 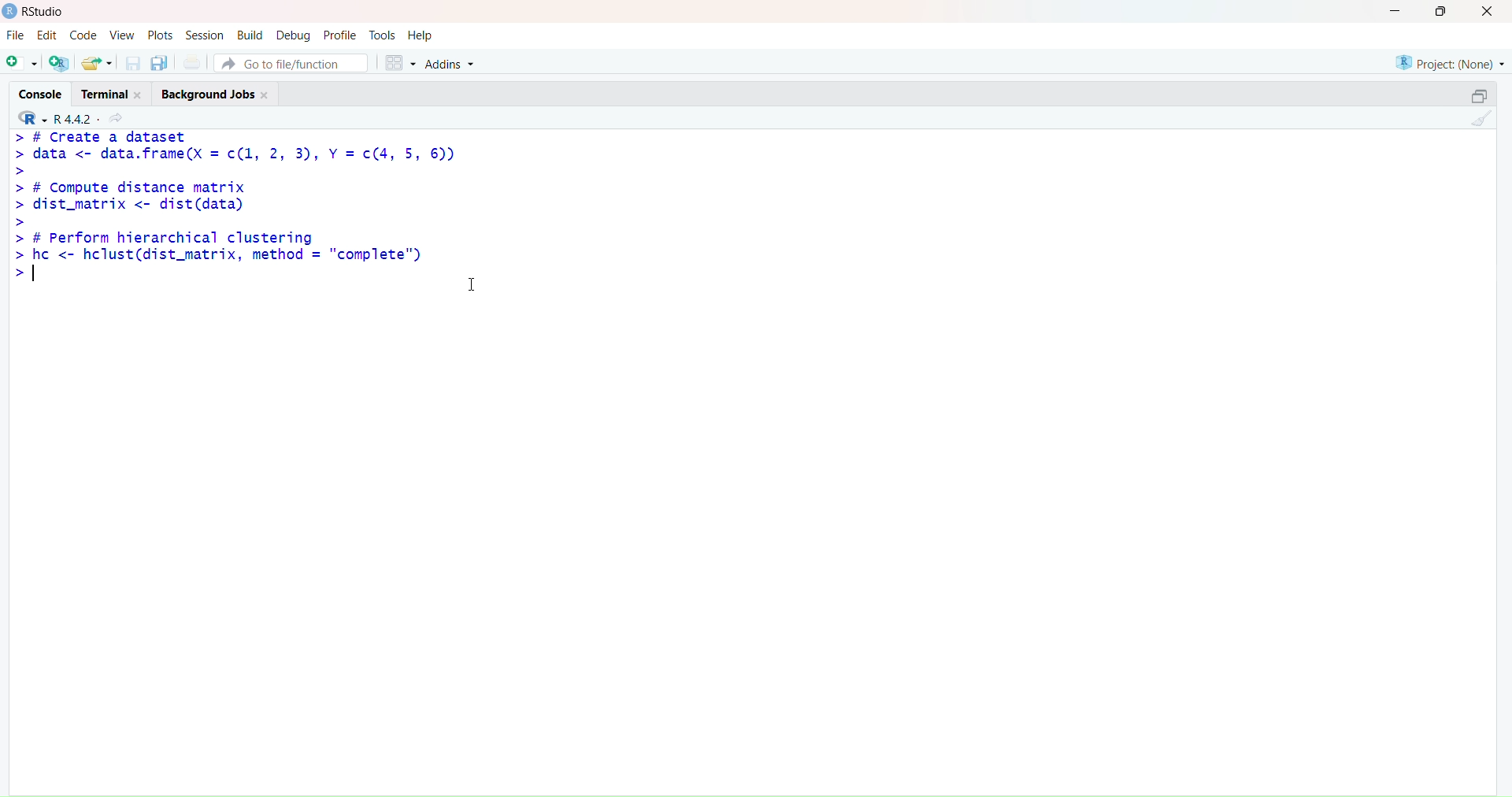 What do you see at coordinates (76, 120) in the screenshot?
I see `R .4.4.2~/` at bounding box center [76, 120].